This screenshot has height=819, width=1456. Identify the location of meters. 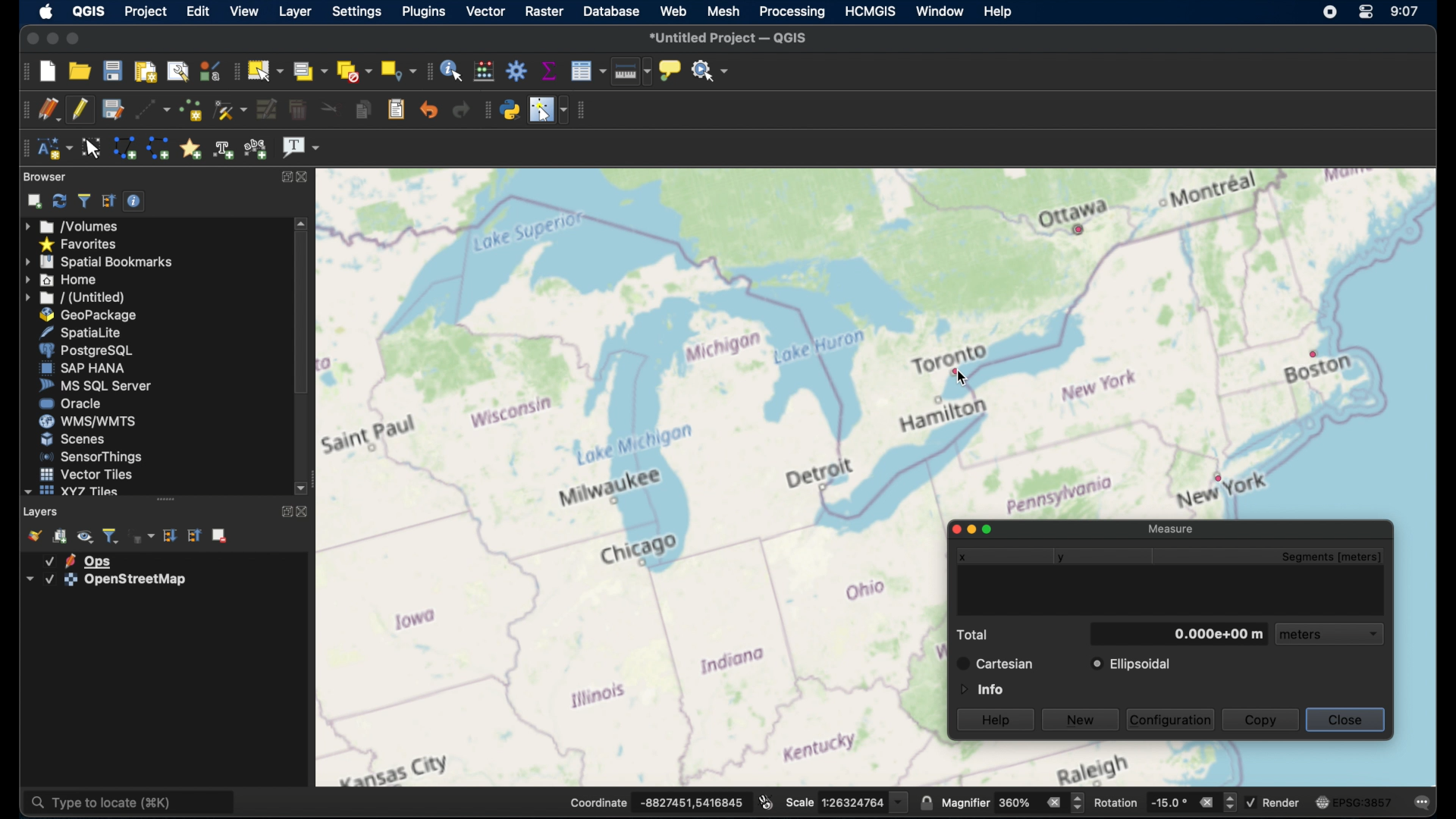
(1331, 636).